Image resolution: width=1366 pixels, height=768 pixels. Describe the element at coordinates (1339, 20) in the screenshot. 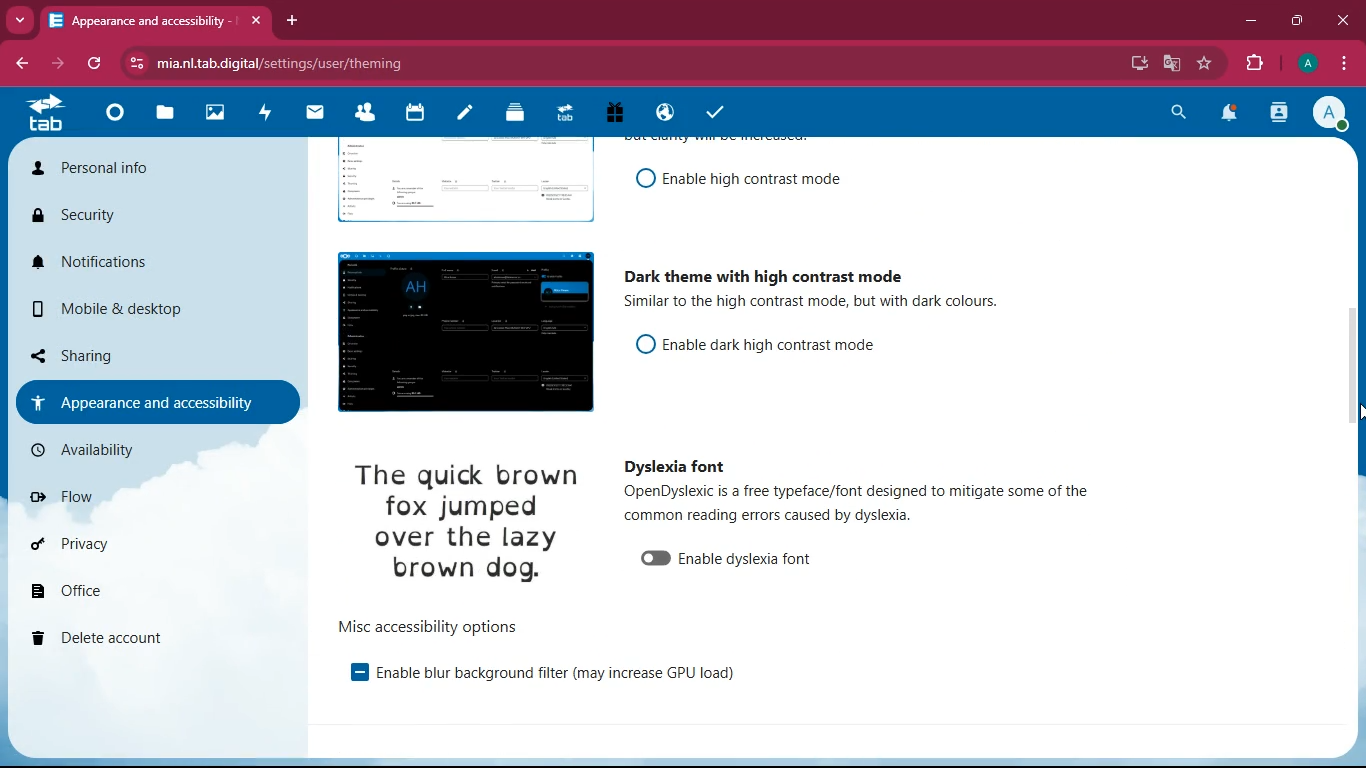

I see `close` at that location.